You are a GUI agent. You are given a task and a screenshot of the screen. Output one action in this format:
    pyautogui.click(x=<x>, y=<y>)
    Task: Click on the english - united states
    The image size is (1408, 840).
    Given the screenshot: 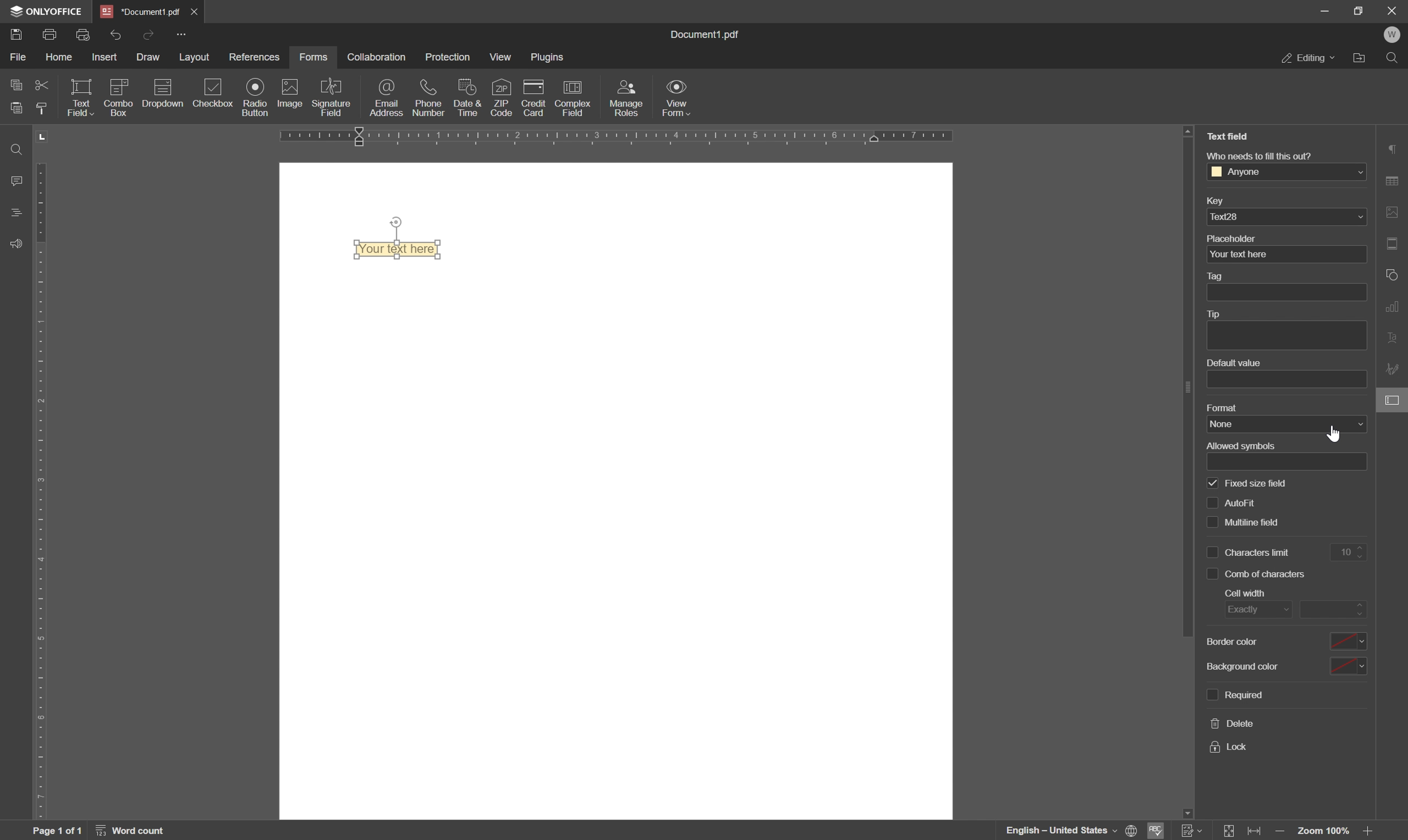 What is the action you would take?
    pyautogui.click(x=1061, y=830)
    